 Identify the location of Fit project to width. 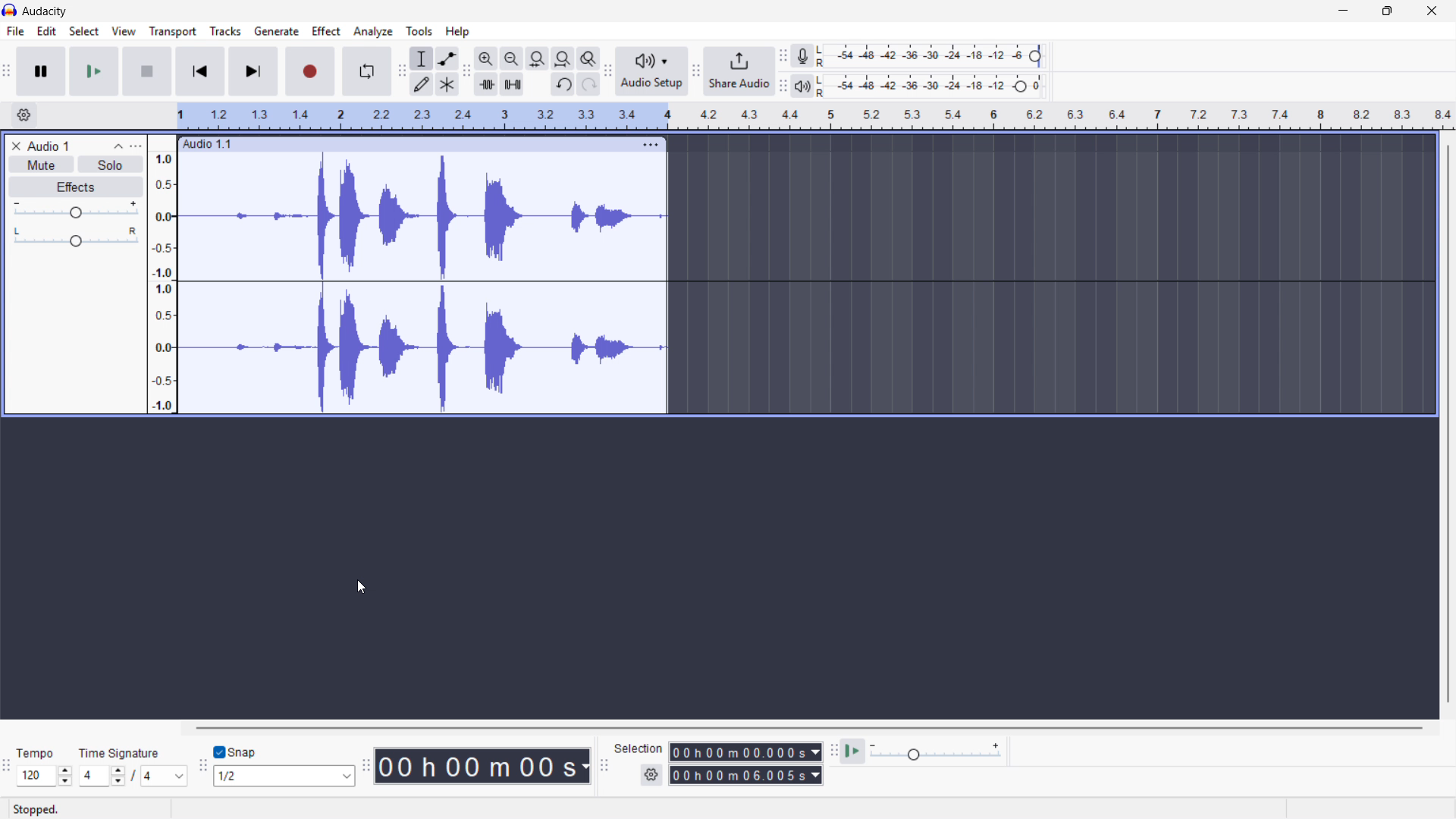
(563, 58).